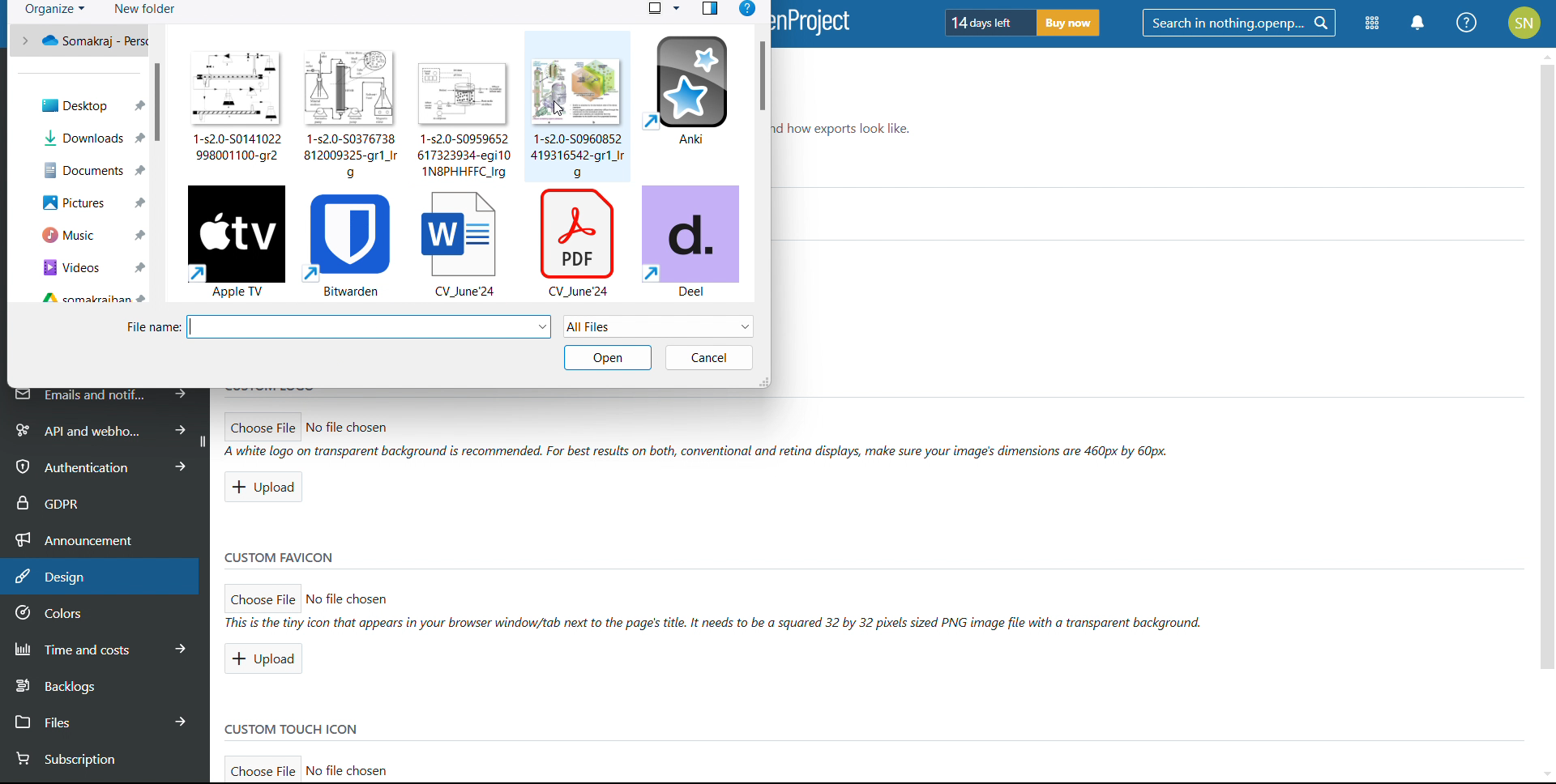  I want to click on announcement, so click(104, 538).